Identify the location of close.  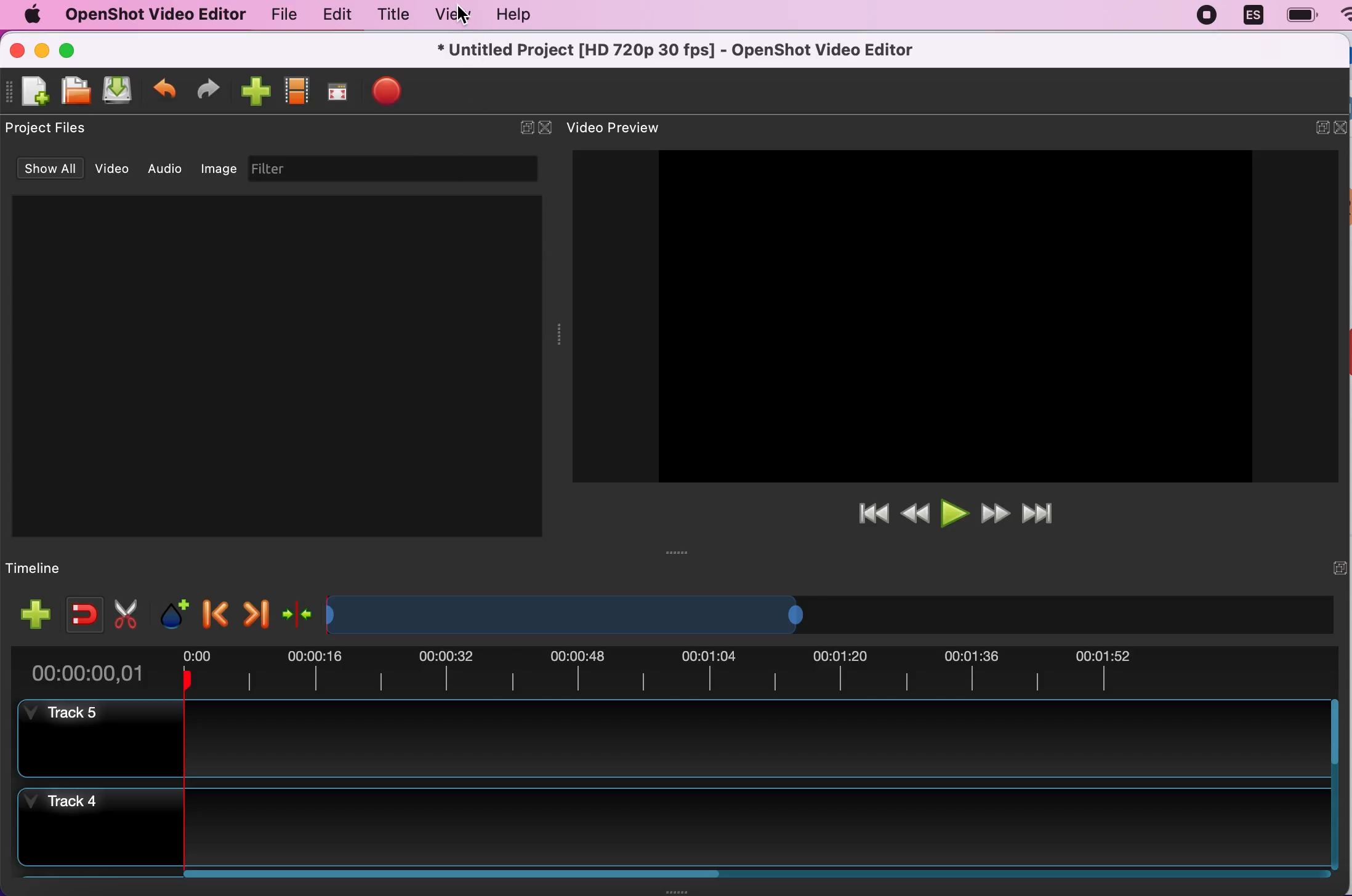
(1343, 127).